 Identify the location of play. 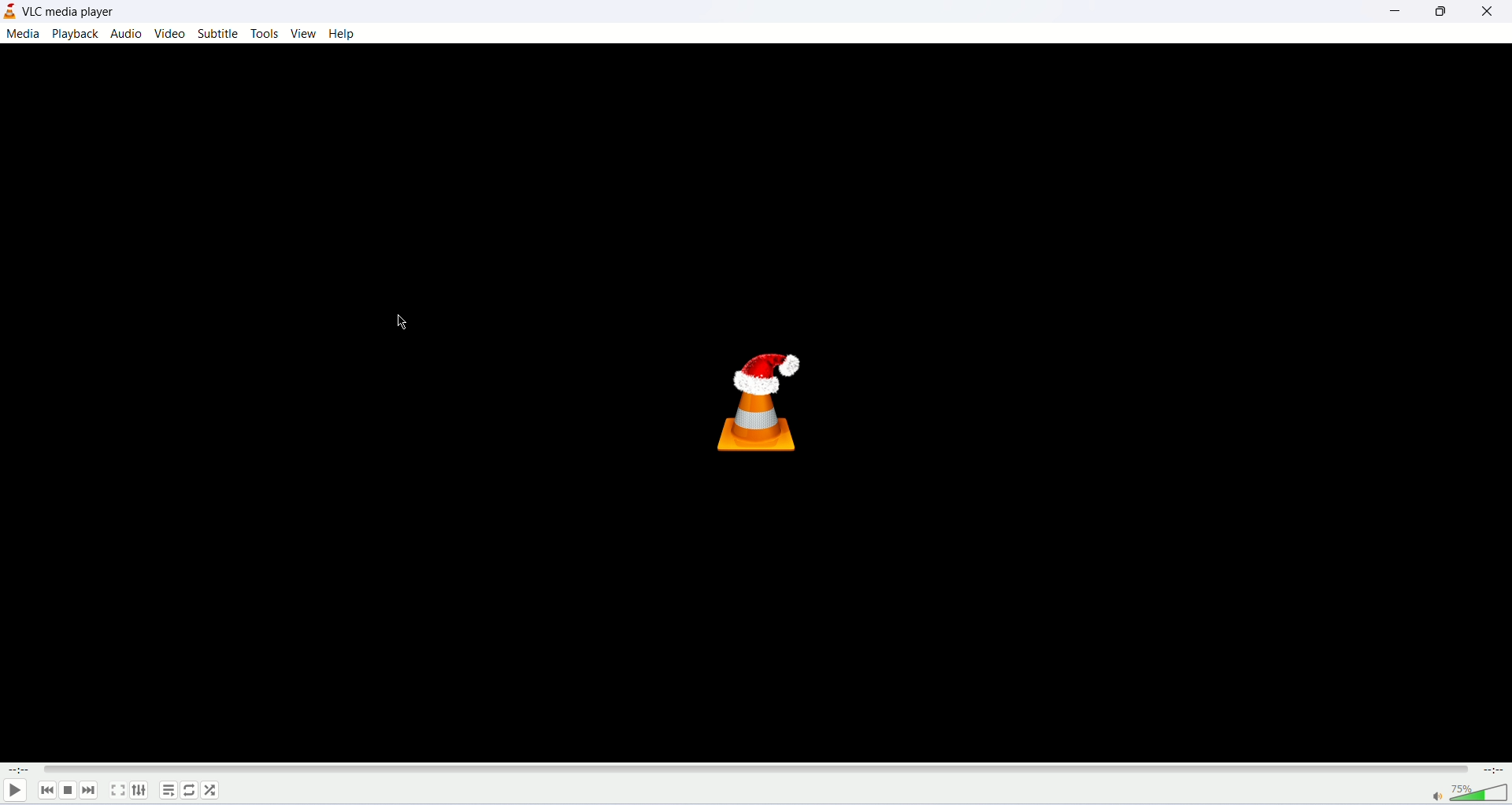
(13, 791).